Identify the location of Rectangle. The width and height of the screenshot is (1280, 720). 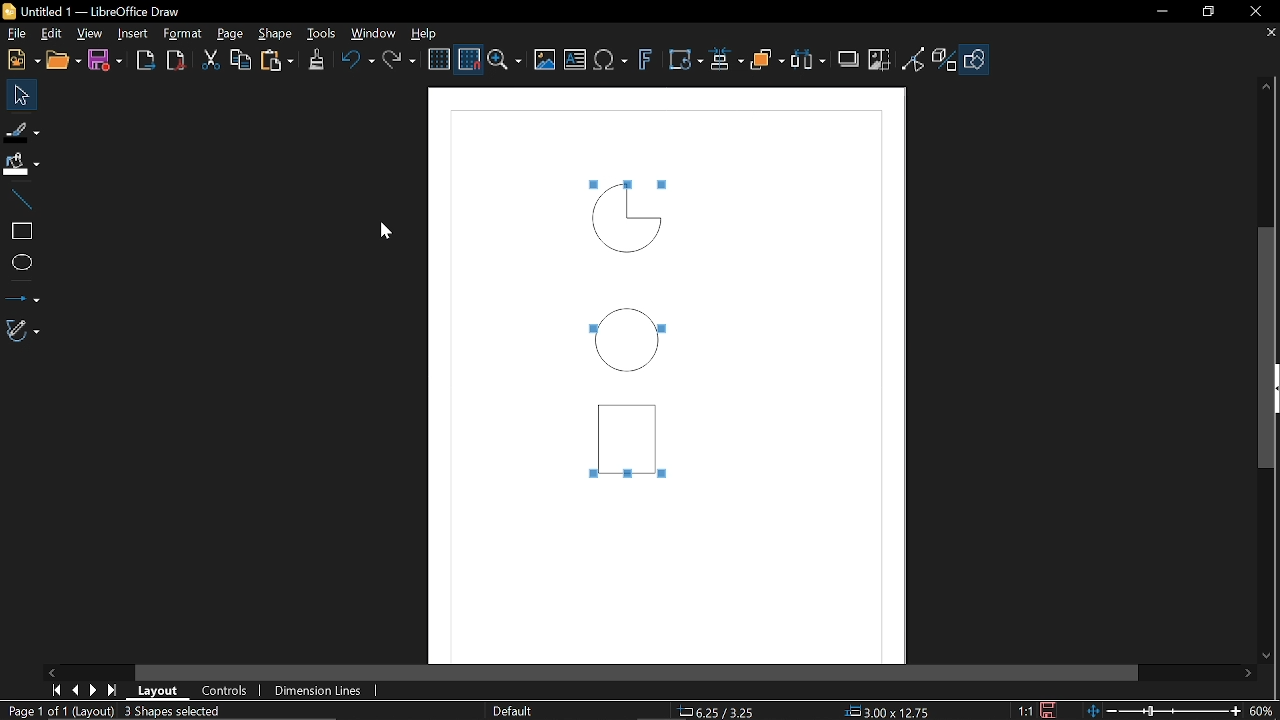
(18, 229).